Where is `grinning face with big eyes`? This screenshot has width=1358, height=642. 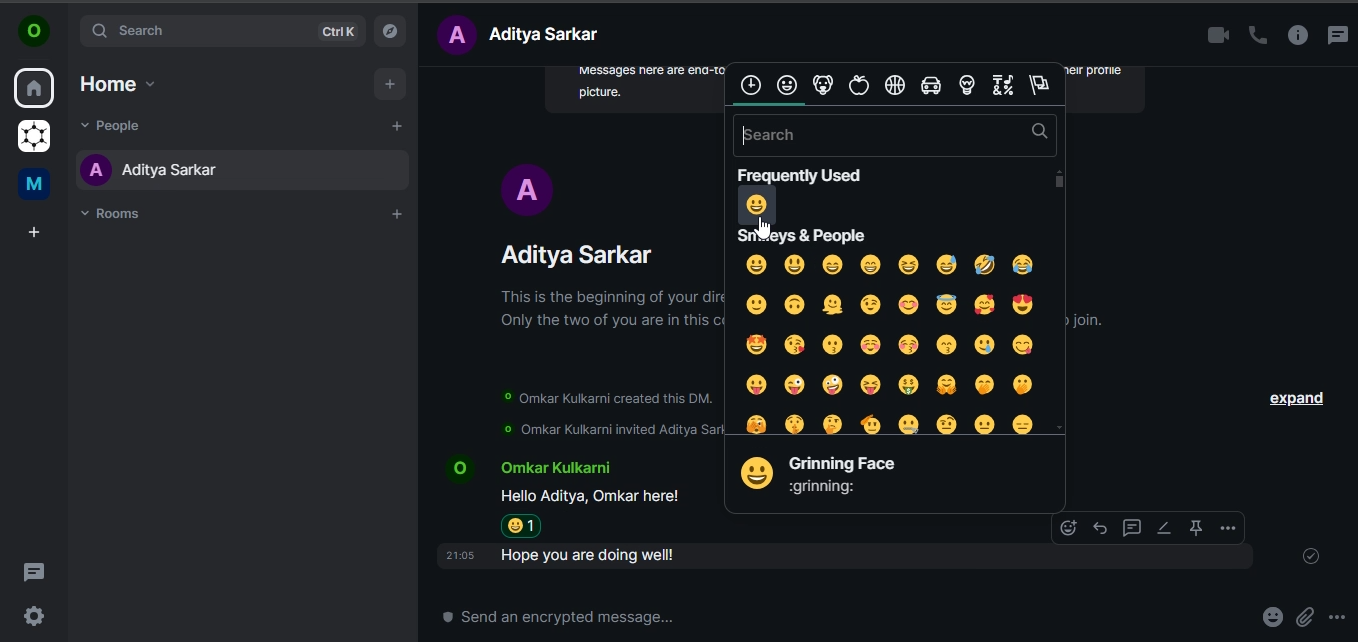
grinning face with big eyes is located at coordinates (794, 264).